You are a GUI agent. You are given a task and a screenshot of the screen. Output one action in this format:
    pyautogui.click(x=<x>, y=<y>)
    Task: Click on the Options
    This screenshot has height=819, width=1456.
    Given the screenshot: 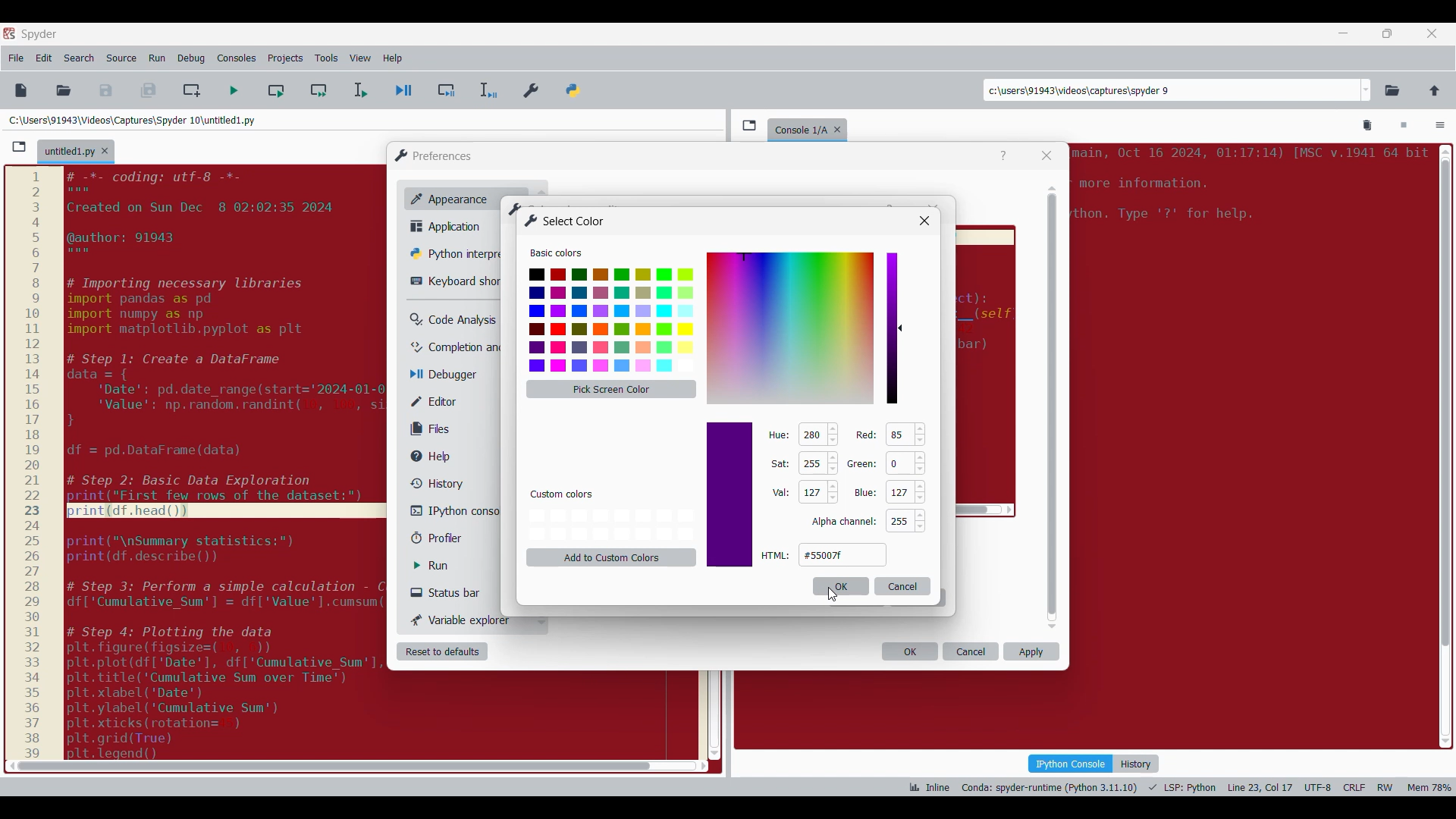 What is the action you would take?
    pyautogui.click(x=1440, y=127)
    